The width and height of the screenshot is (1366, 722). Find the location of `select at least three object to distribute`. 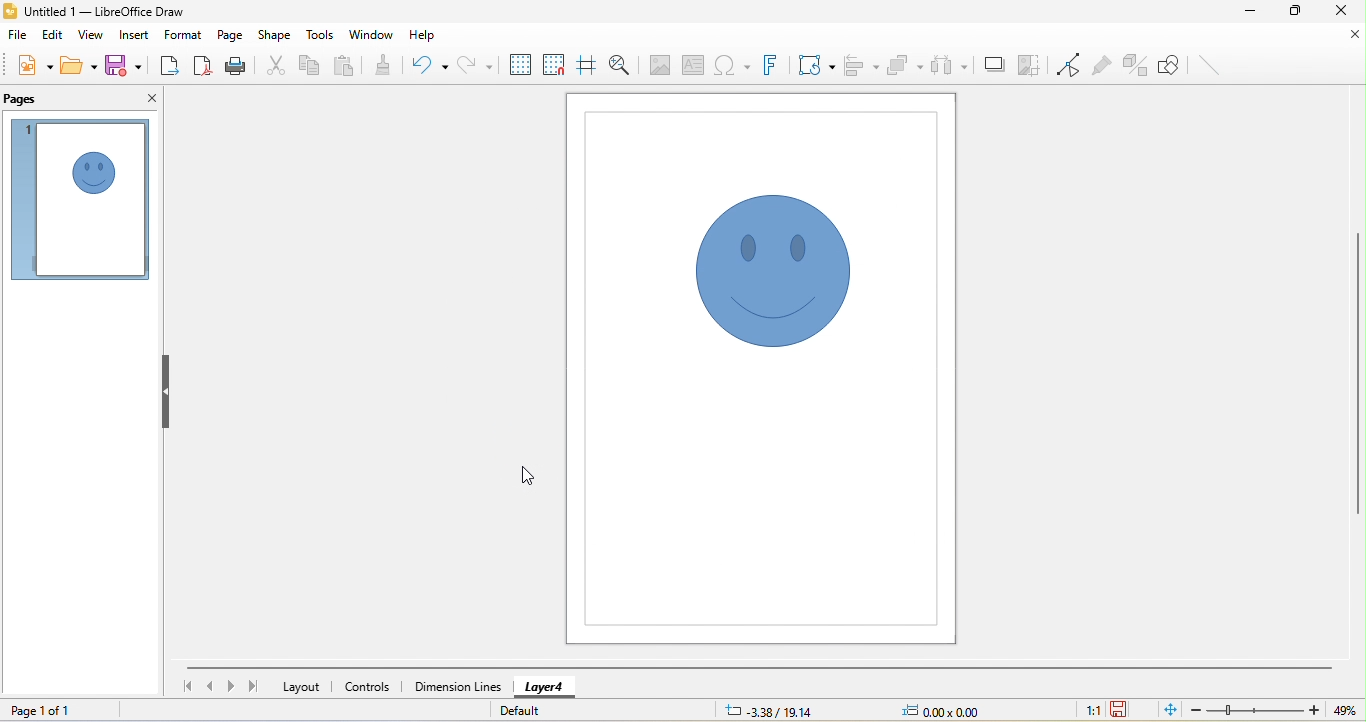

select at least three object to distribute is located at coordinates (949, 67).